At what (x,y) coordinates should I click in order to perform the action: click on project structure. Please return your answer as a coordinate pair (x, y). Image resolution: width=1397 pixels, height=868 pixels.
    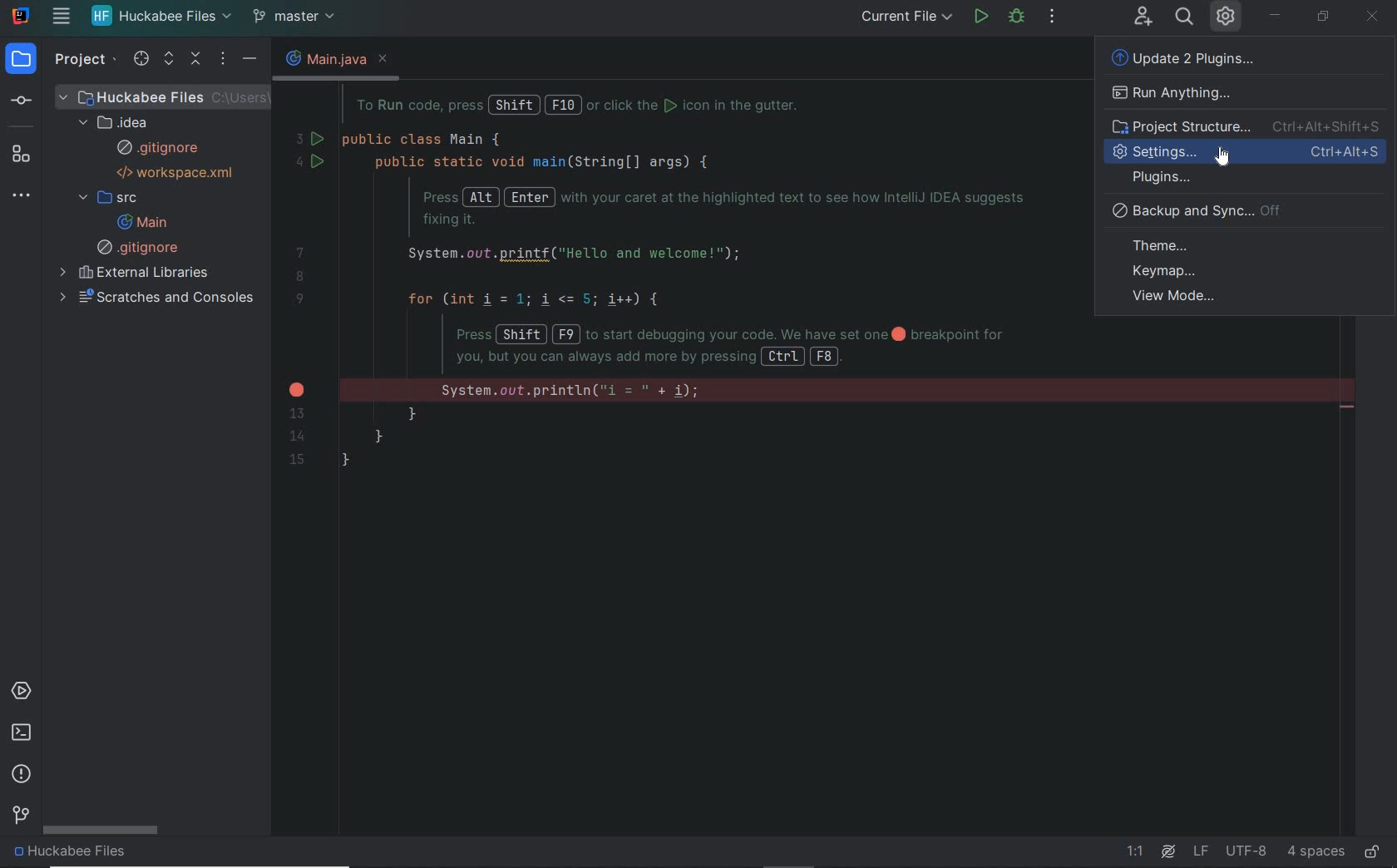
    Looking at the image, I should click on (1246, 128).